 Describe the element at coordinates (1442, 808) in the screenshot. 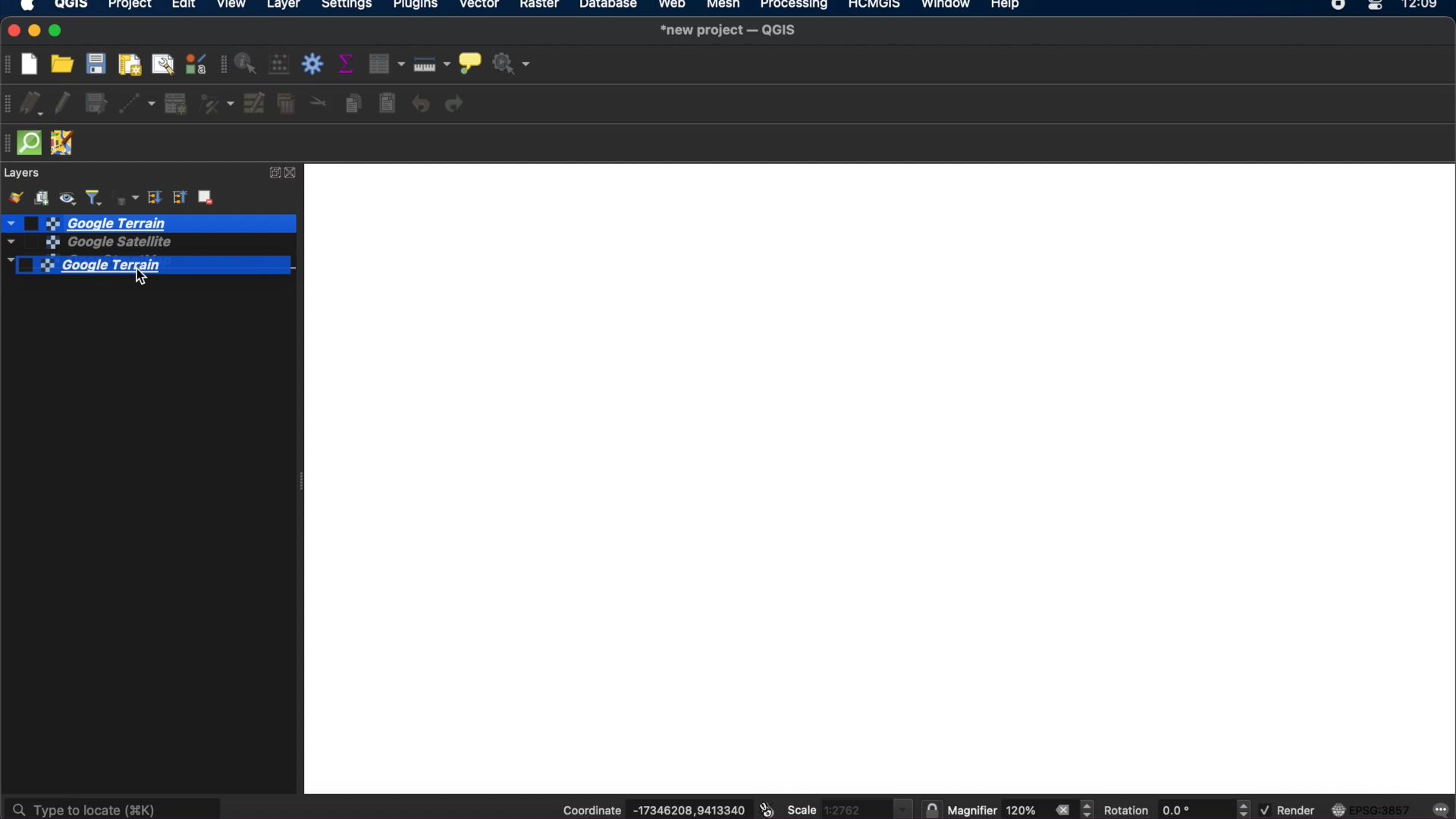

I see `messages` at that location.